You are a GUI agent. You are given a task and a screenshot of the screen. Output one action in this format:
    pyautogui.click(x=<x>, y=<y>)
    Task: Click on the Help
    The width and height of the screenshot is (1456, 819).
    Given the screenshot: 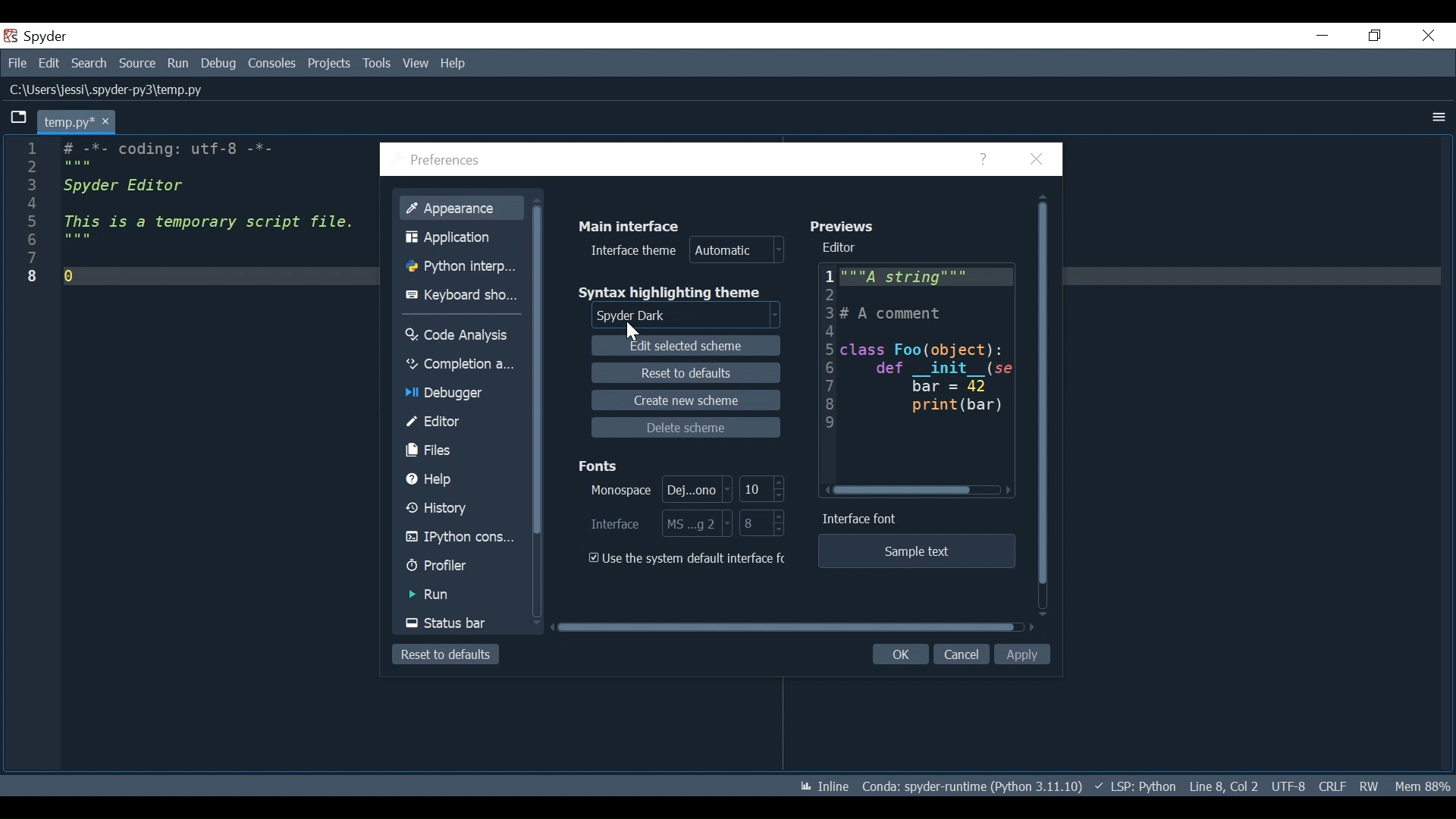 What is the action you would take?
    pyautogui.click(x=453, y=64)
    